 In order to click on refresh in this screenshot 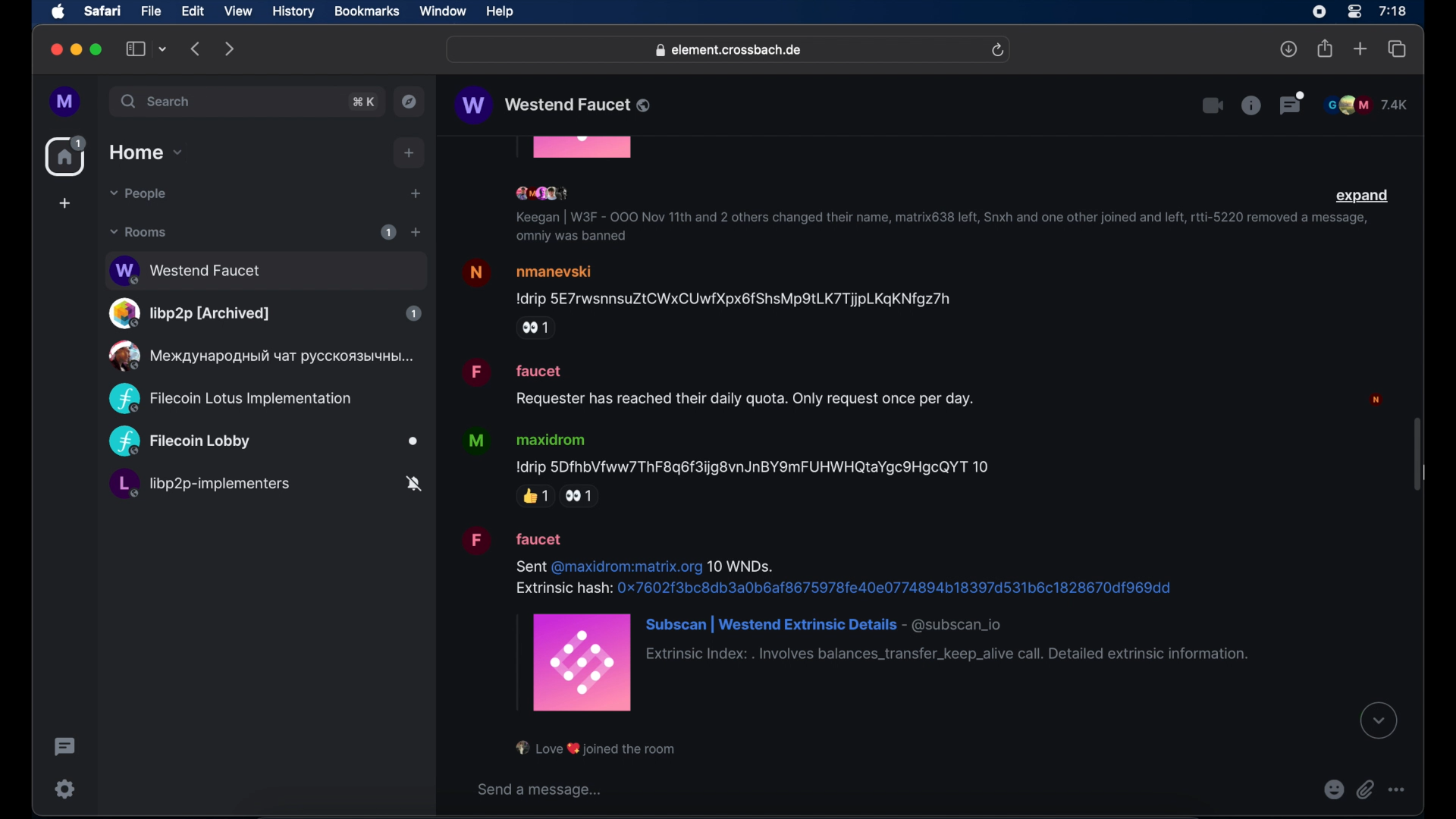, I will do `click(997, 51)`.